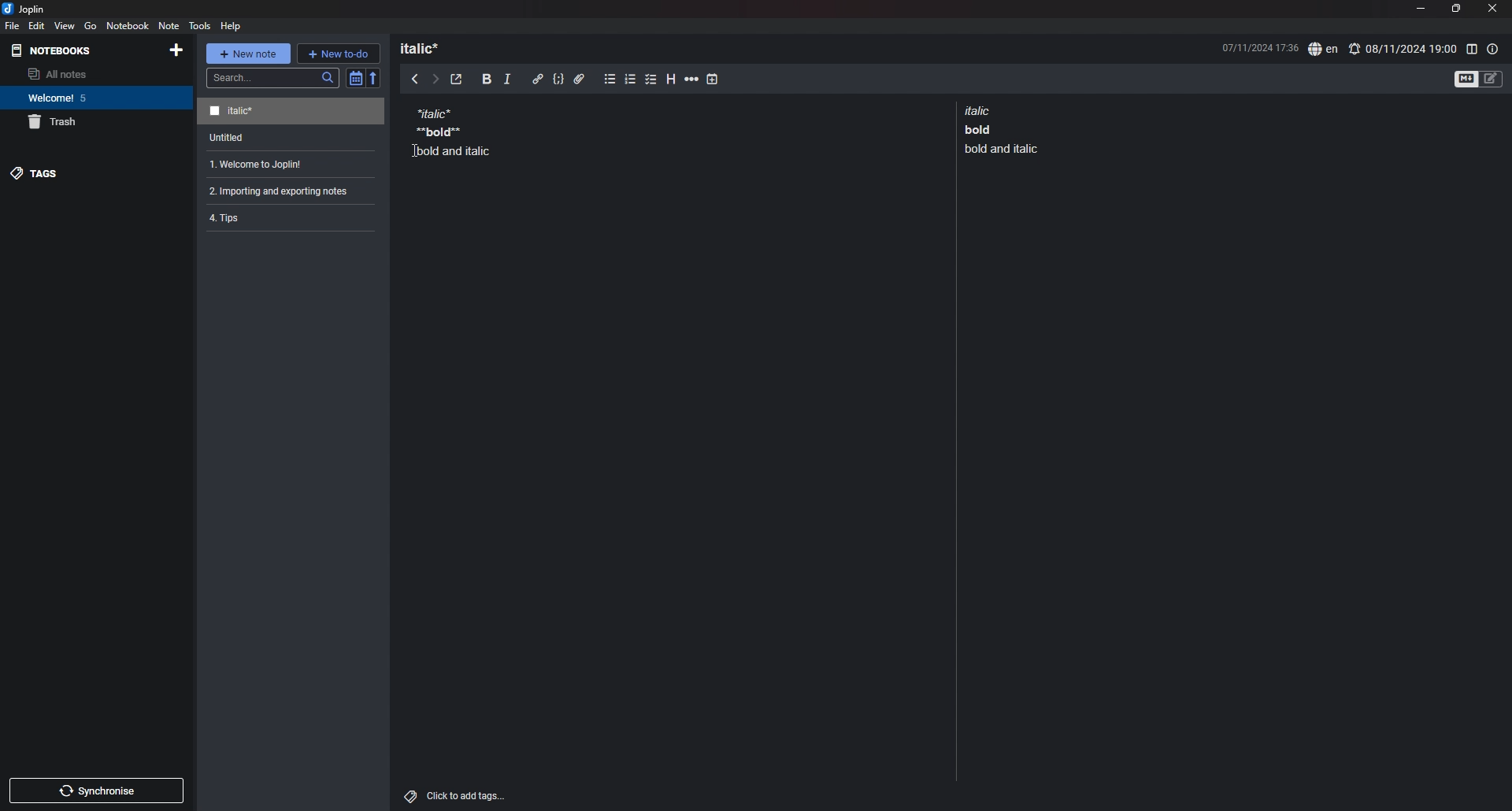 The width and height of the screenshot is (1512, 811). What do you see at coordinates (558, 80) in the screenshot?
I see `code` at bounding box center [558, 80].